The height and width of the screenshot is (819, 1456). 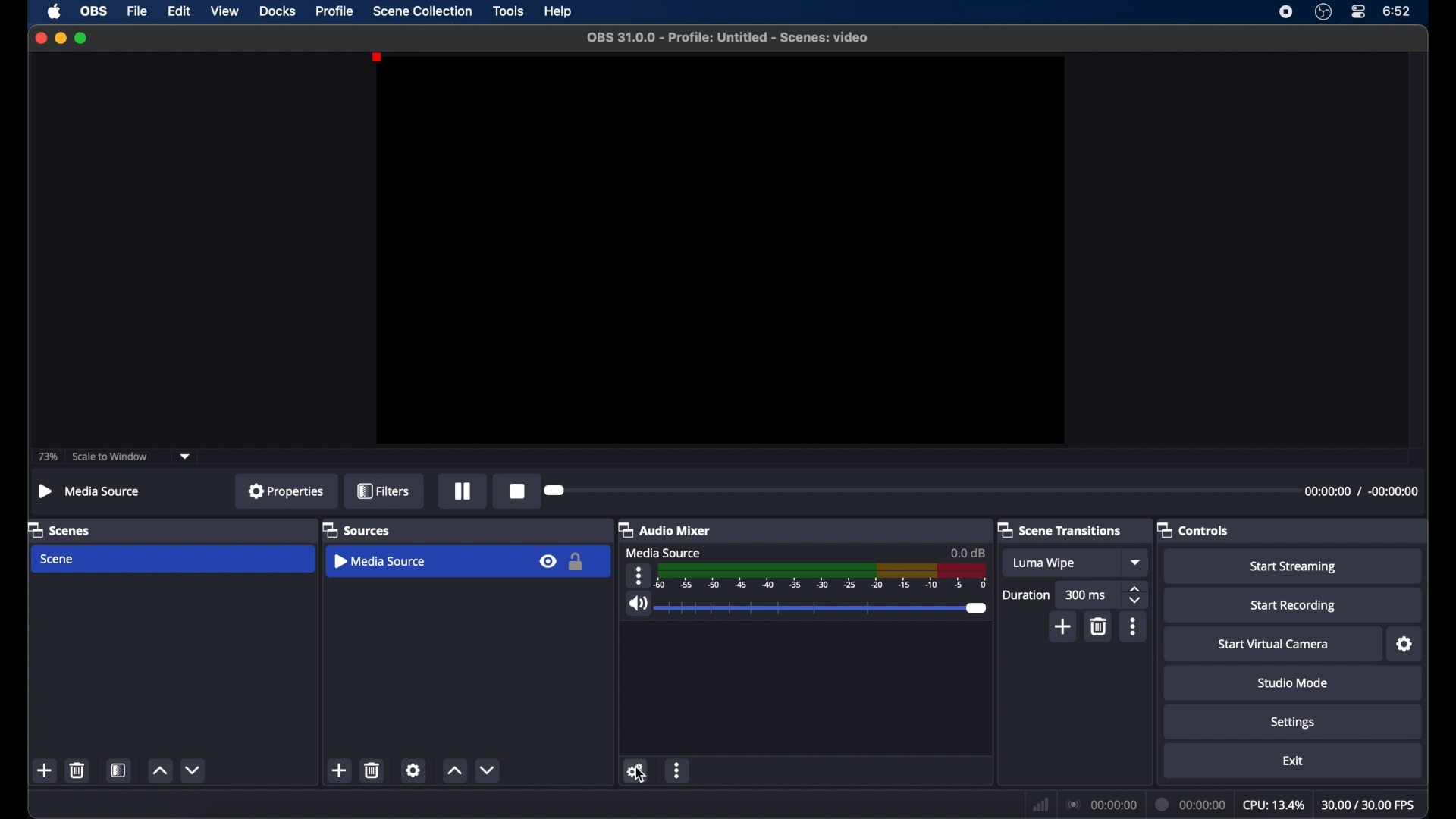 I want to click on delete, so click(x=77, y=770).